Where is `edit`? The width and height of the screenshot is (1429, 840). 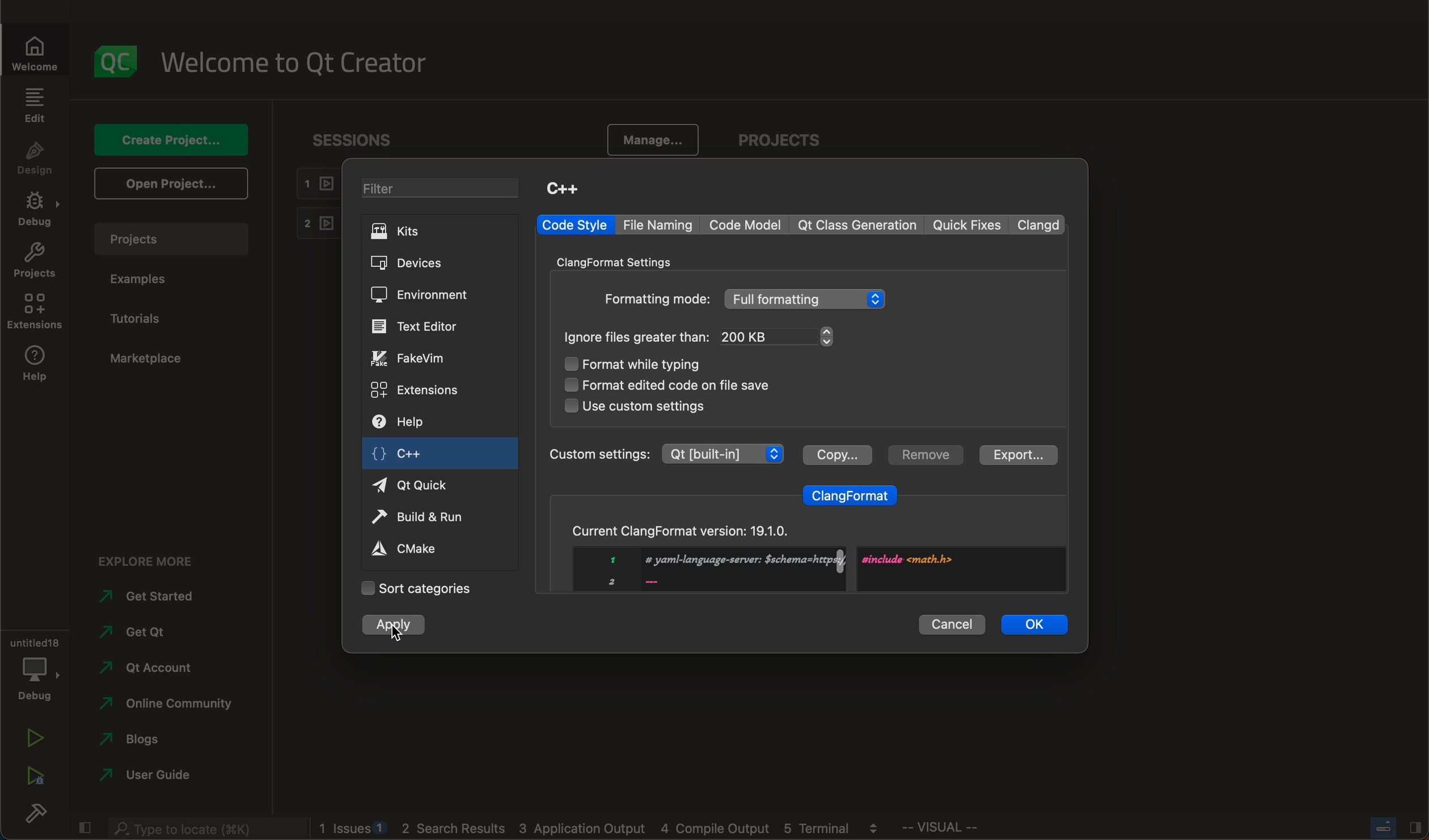 edit is located at coordinates (34, 105).